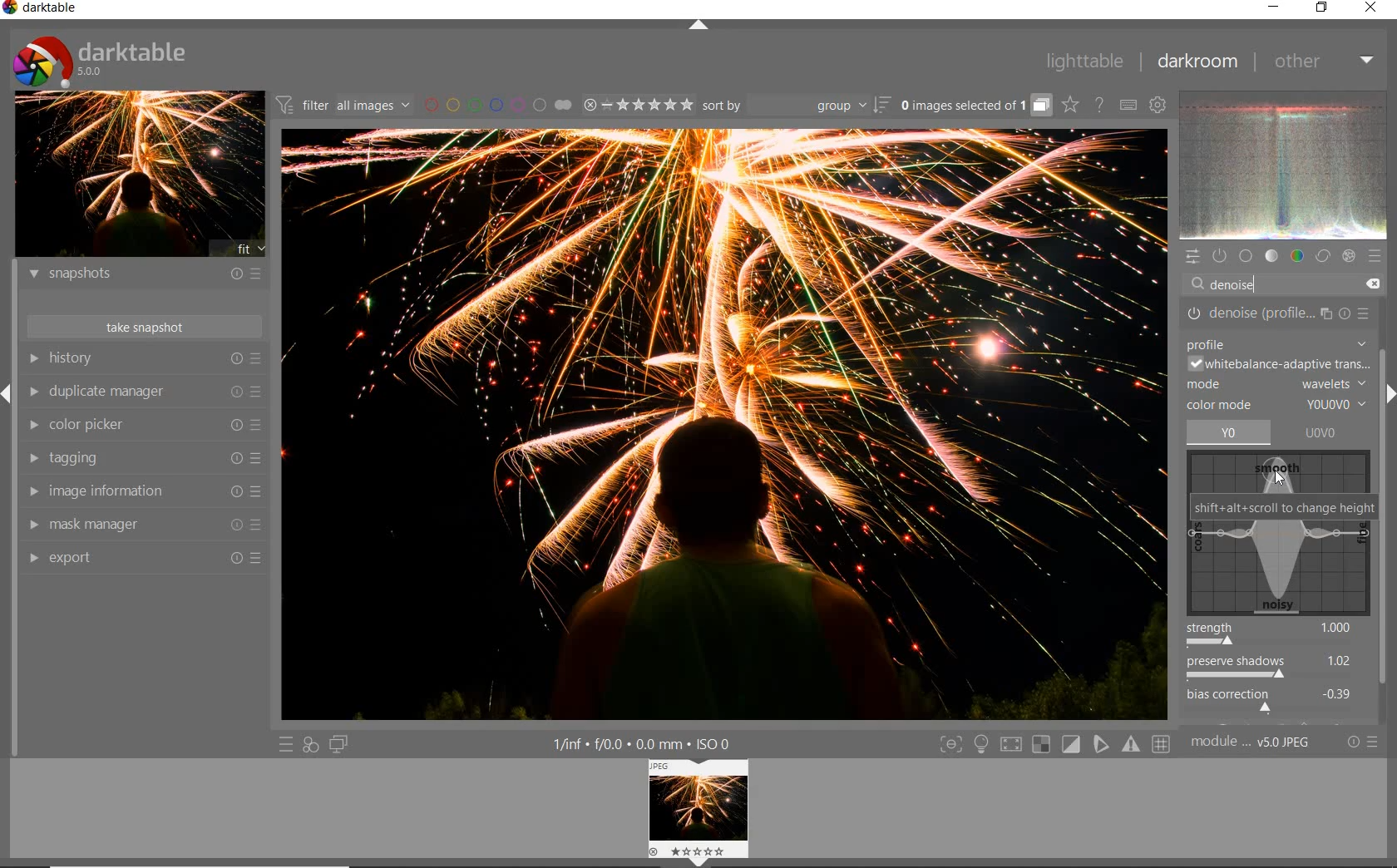 The width and height of the screenshot is (1397, 868). I want to click on darkroom, so click(1196, 62).